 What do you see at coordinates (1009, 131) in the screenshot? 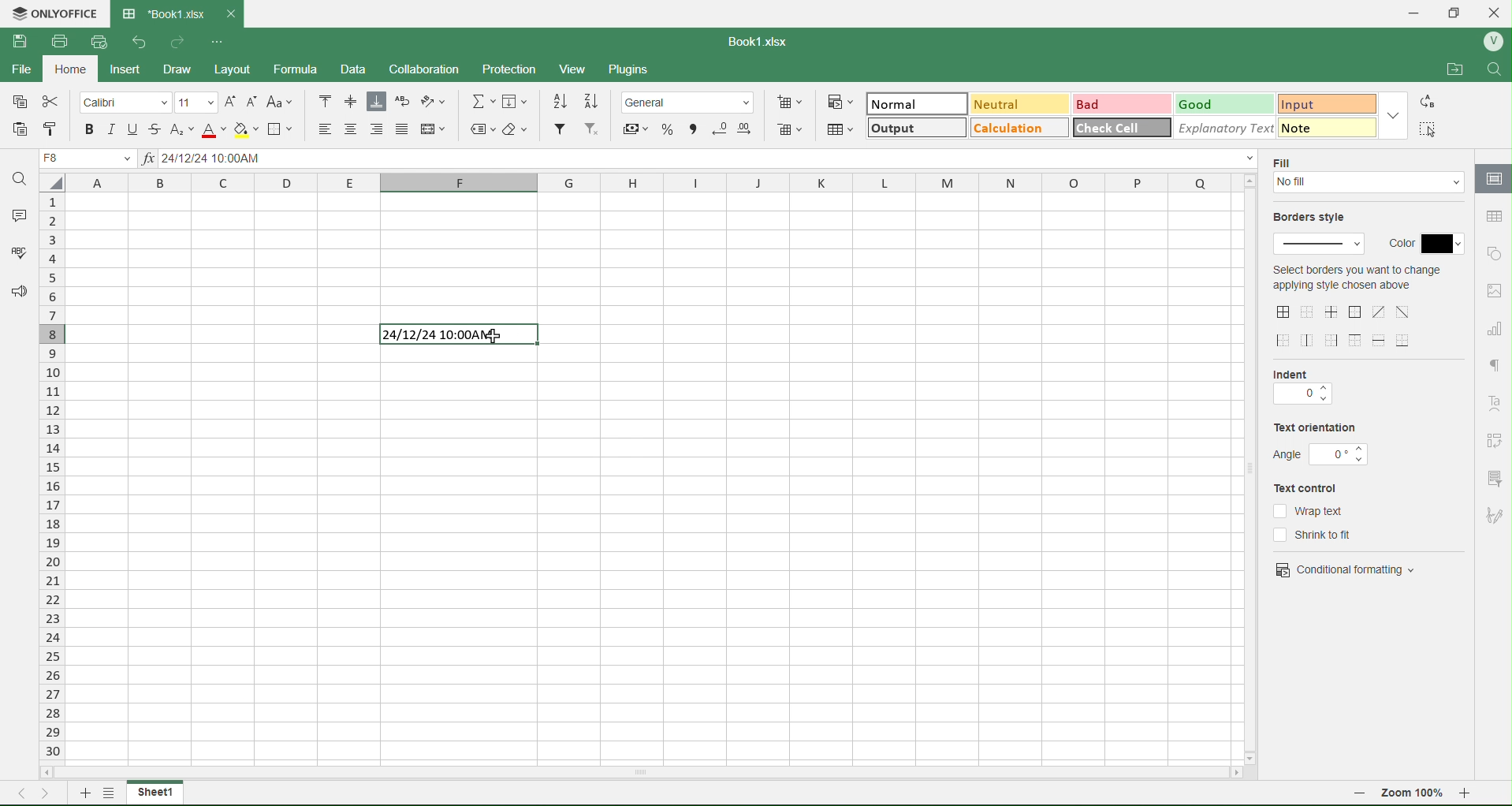
I see `calculation` at bounding box center [1009, 131].